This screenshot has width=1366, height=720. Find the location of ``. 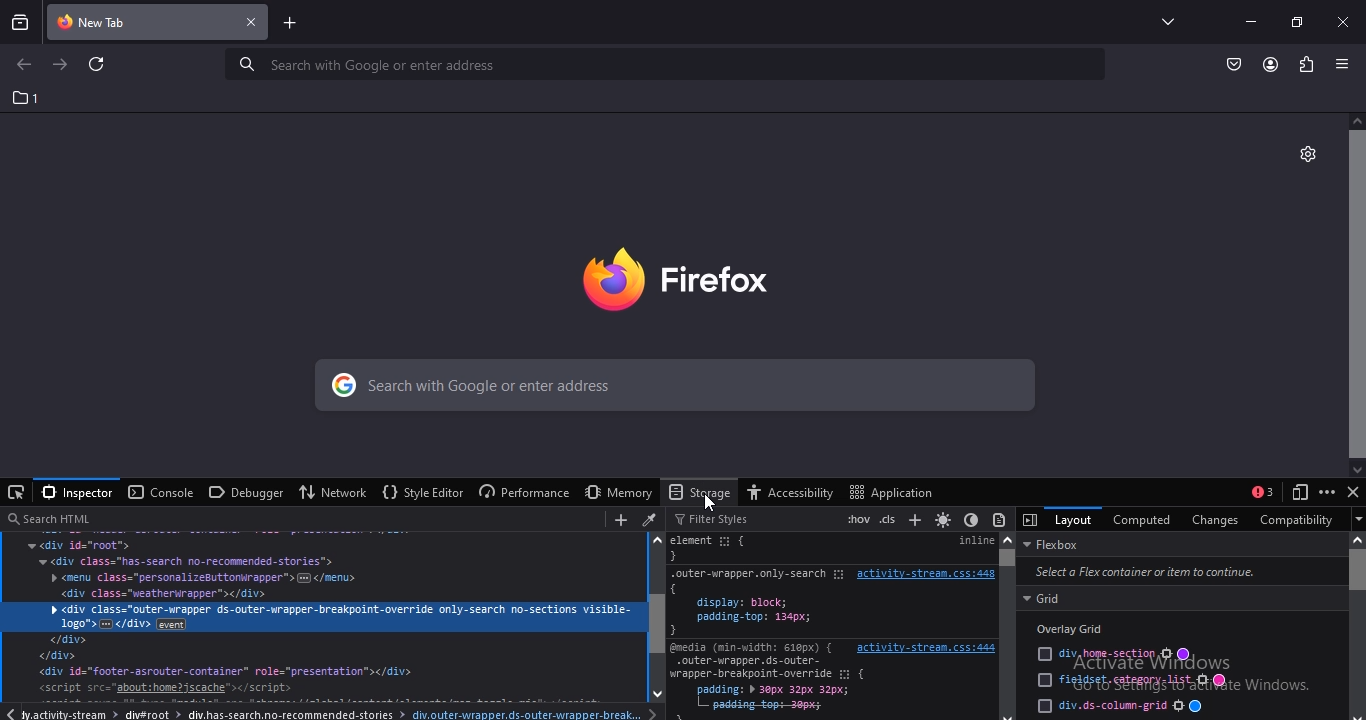

 is located at coordinates (622, 520).